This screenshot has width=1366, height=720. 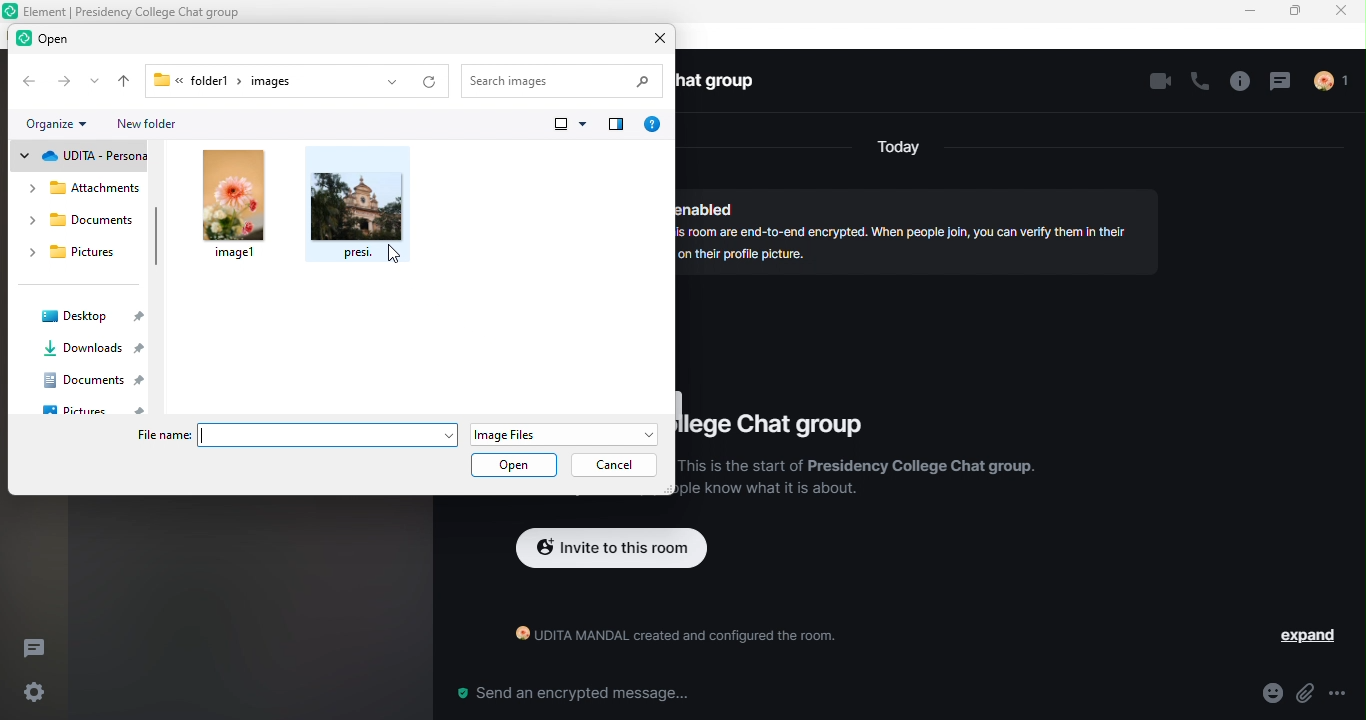 I want to click on help, so click(x=656, y=125).